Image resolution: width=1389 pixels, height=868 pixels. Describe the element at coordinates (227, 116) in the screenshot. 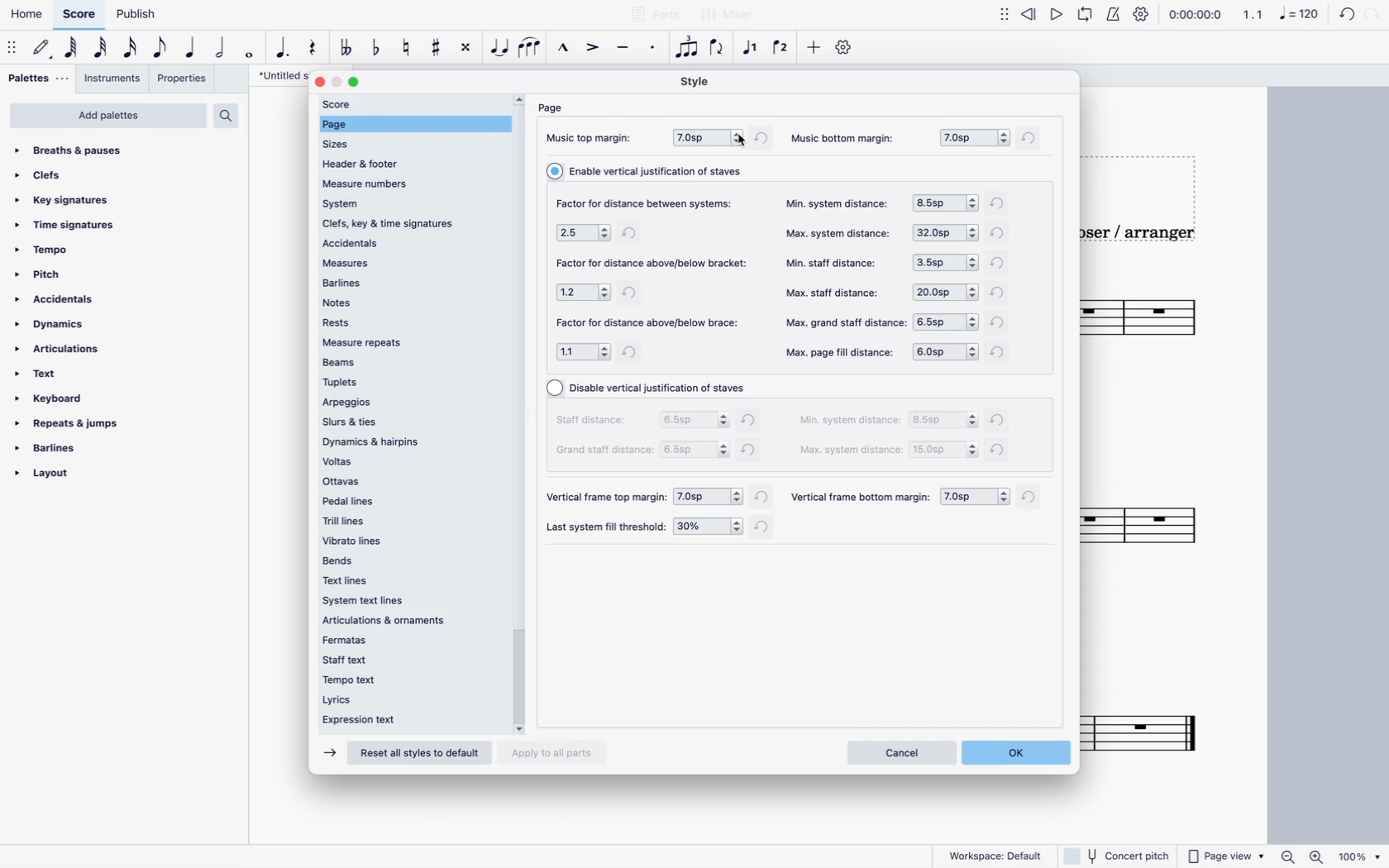

I see `search` at that location.